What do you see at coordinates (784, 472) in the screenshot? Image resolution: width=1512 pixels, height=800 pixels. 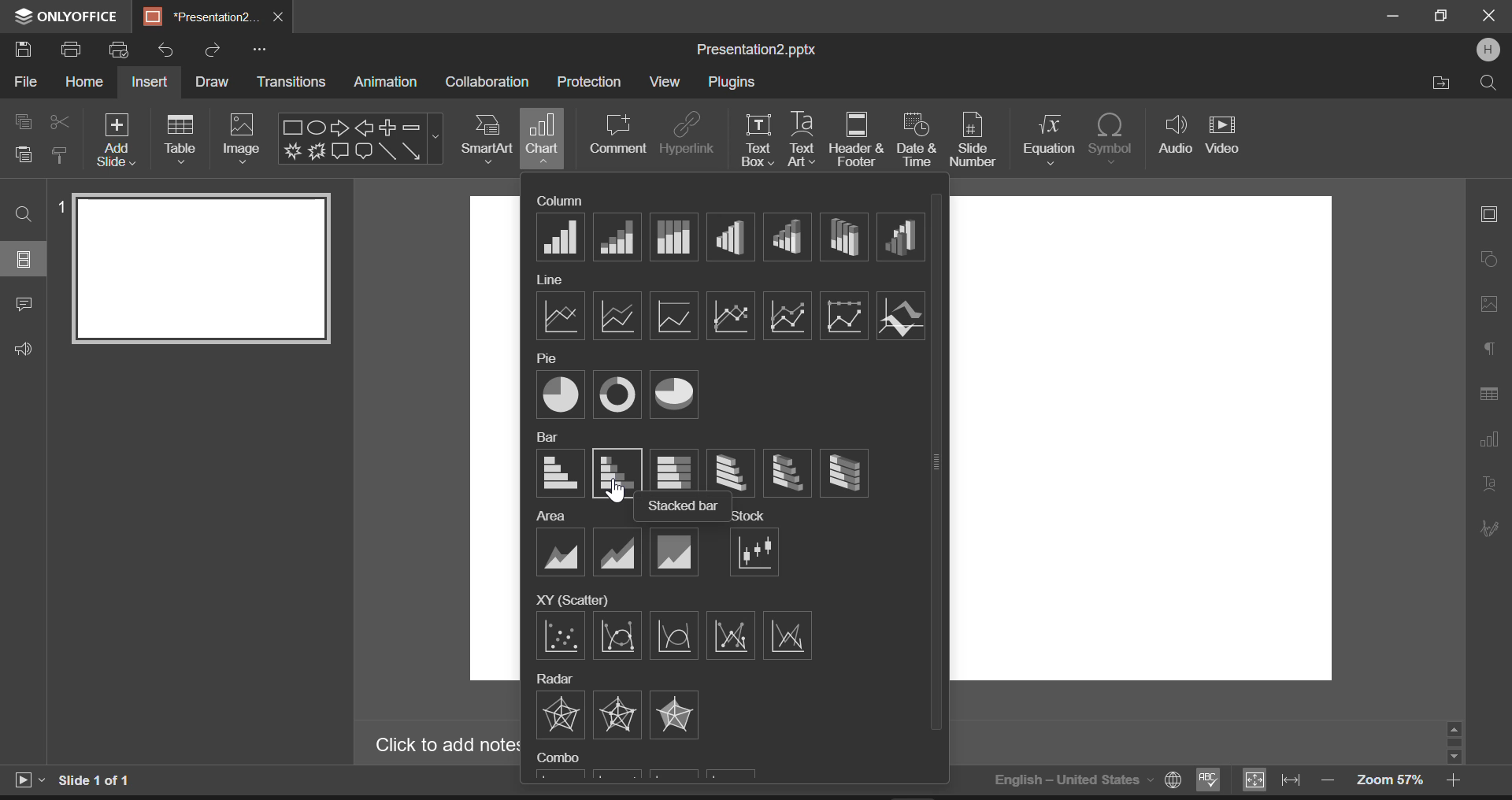 I see `3-D Stacked Bar` at bounding box center [784, 472].